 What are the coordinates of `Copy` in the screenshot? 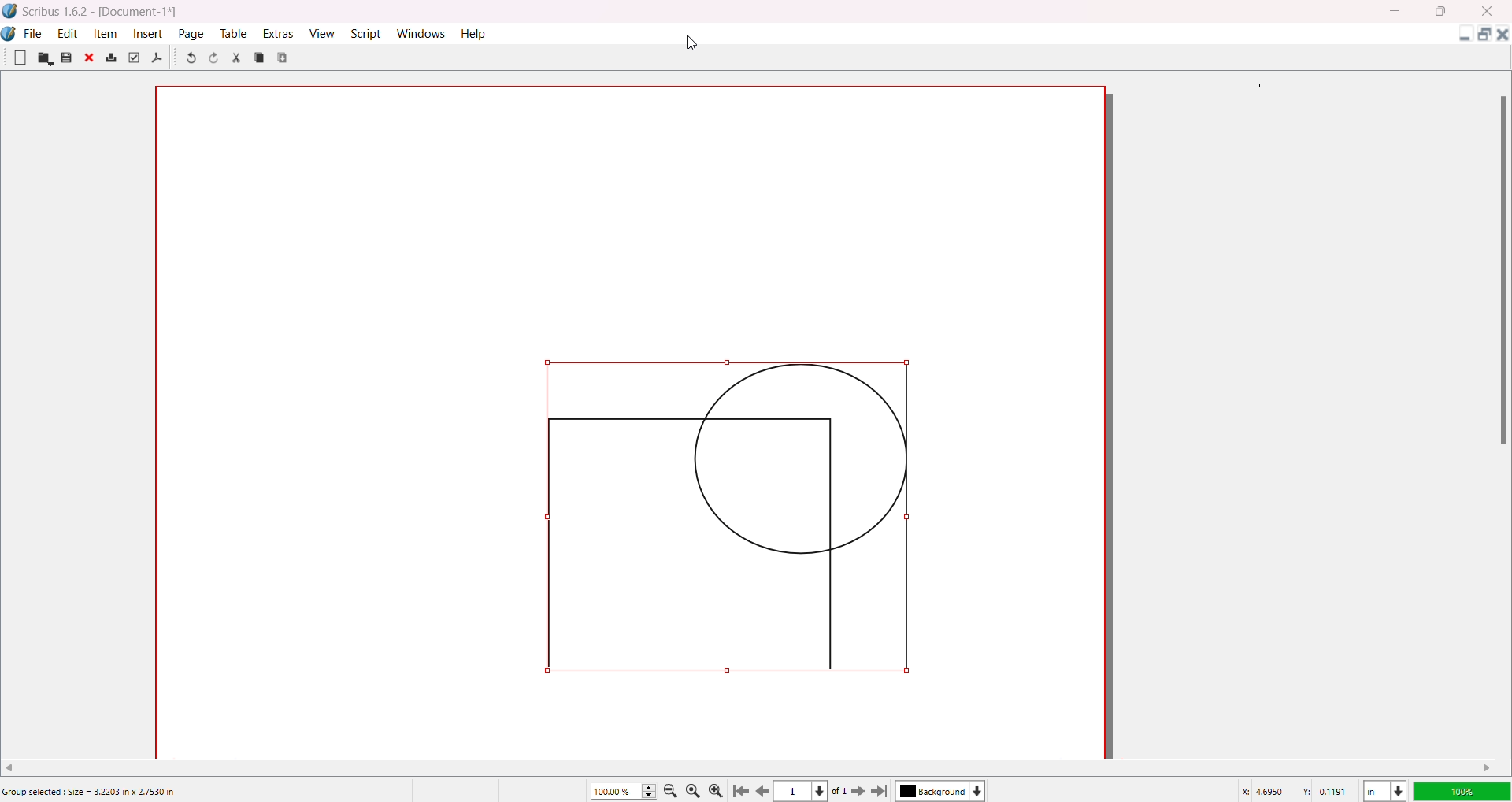 It's located at (260, 57).